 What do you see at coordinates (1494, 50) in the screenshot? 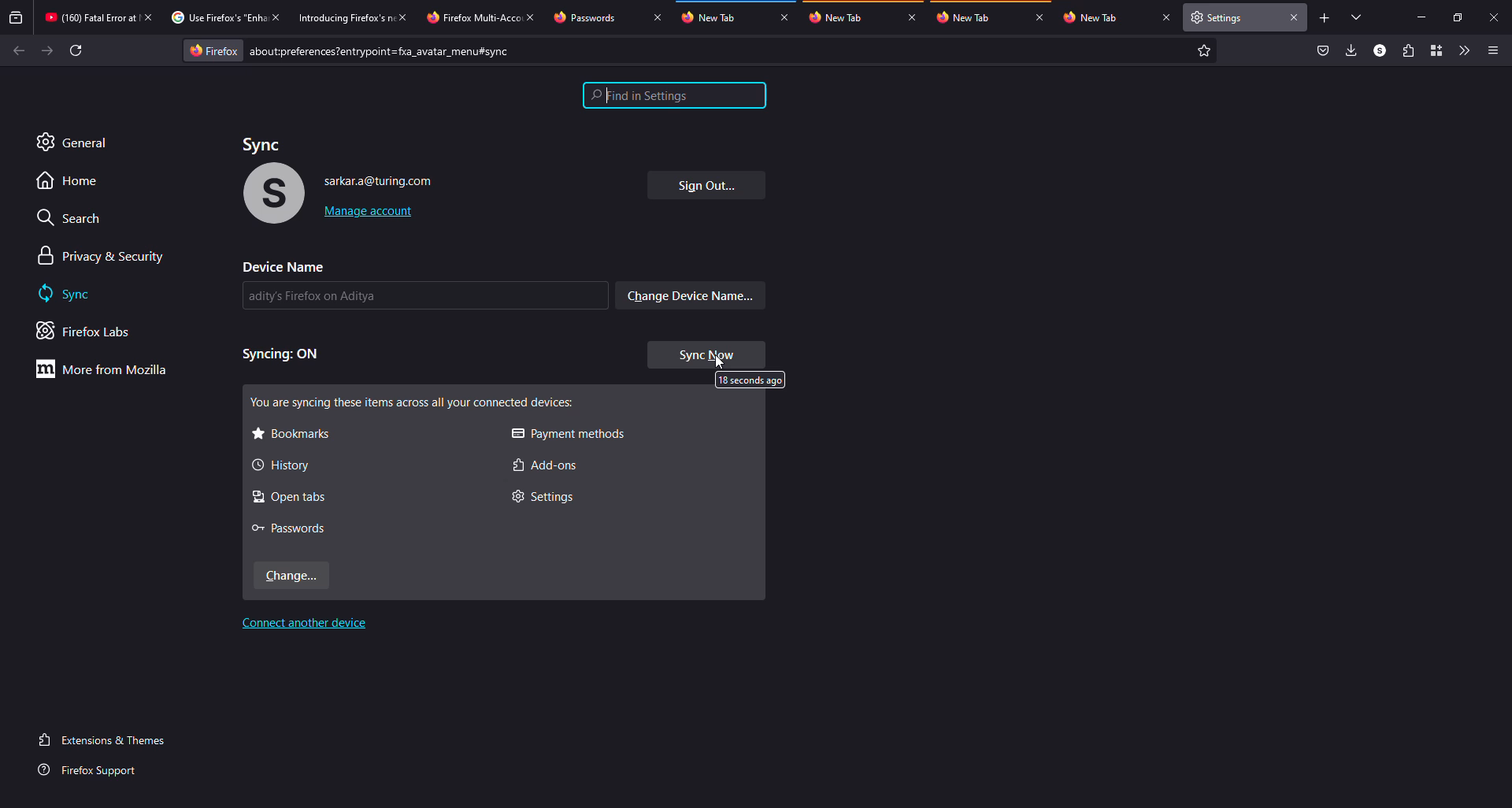
I see `menu` at bounding box center [1494, 50].